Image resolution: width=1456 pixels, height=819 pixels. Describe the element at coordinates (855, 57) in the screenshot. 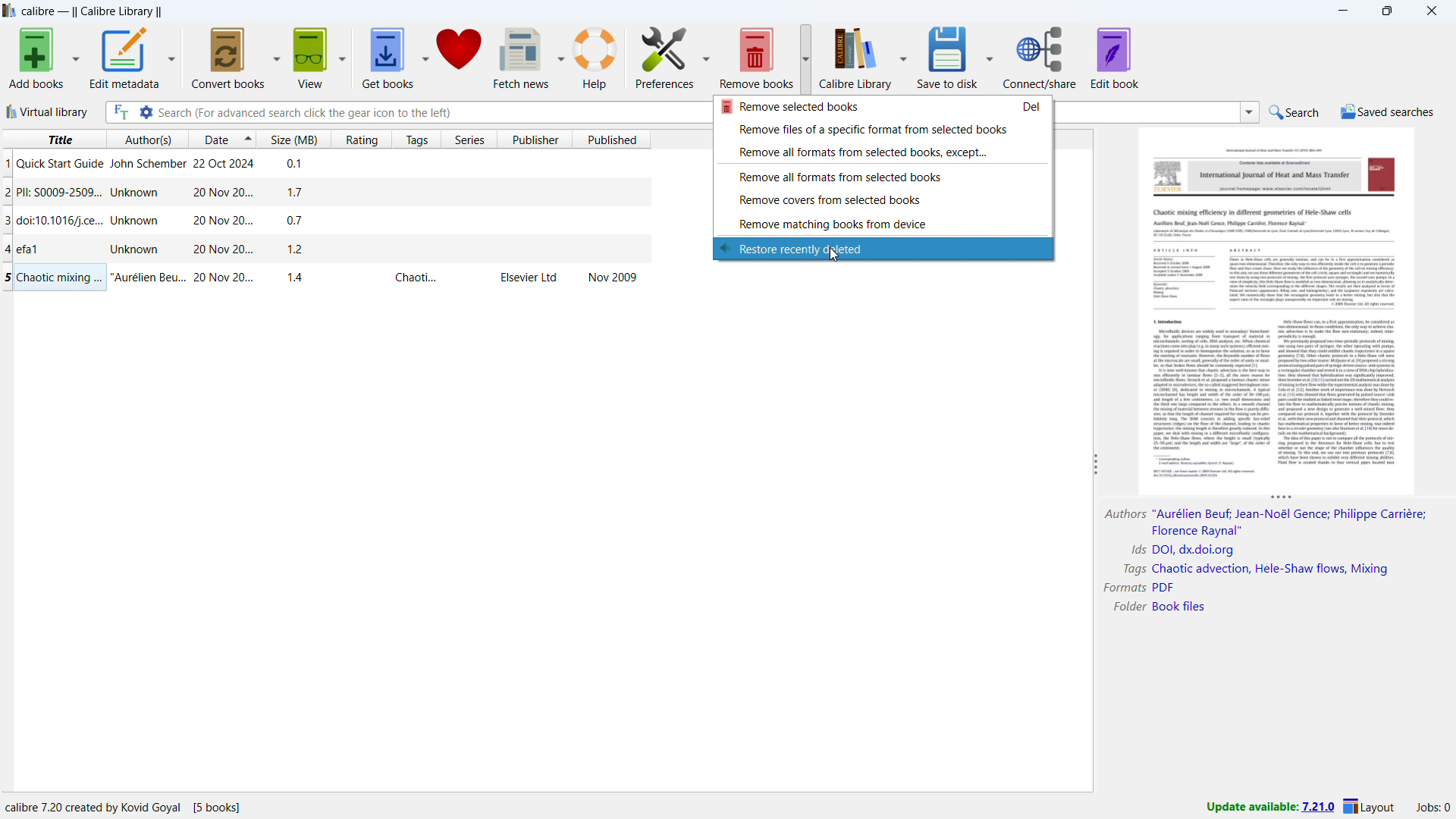

I see `calibre library` at that location.